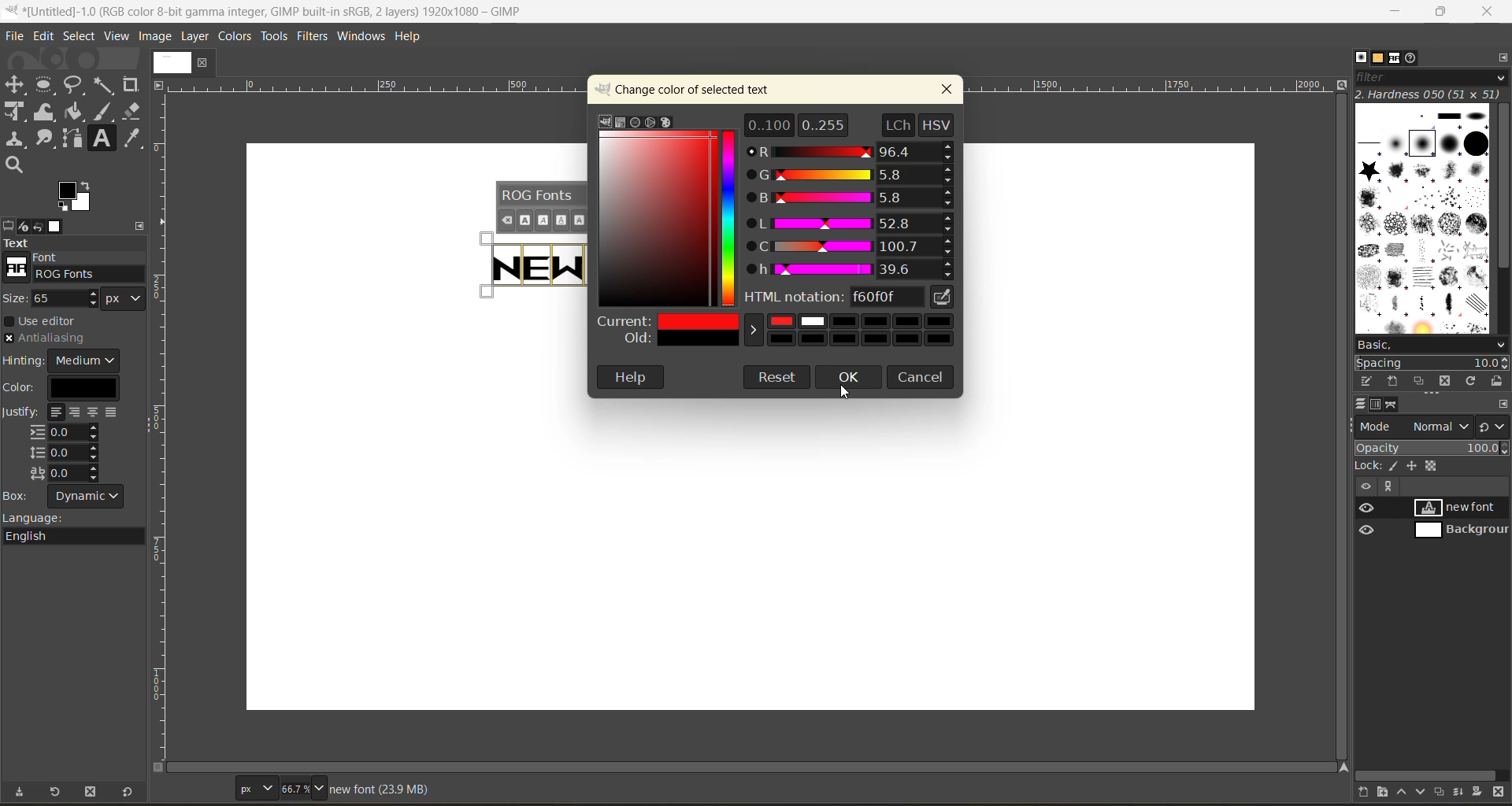 The width and height of the screenshot is (1512, 806). What do you see at coordinates (1369, 520) in the screenshot?
I see `preview` at bounding box center [1369, 520].